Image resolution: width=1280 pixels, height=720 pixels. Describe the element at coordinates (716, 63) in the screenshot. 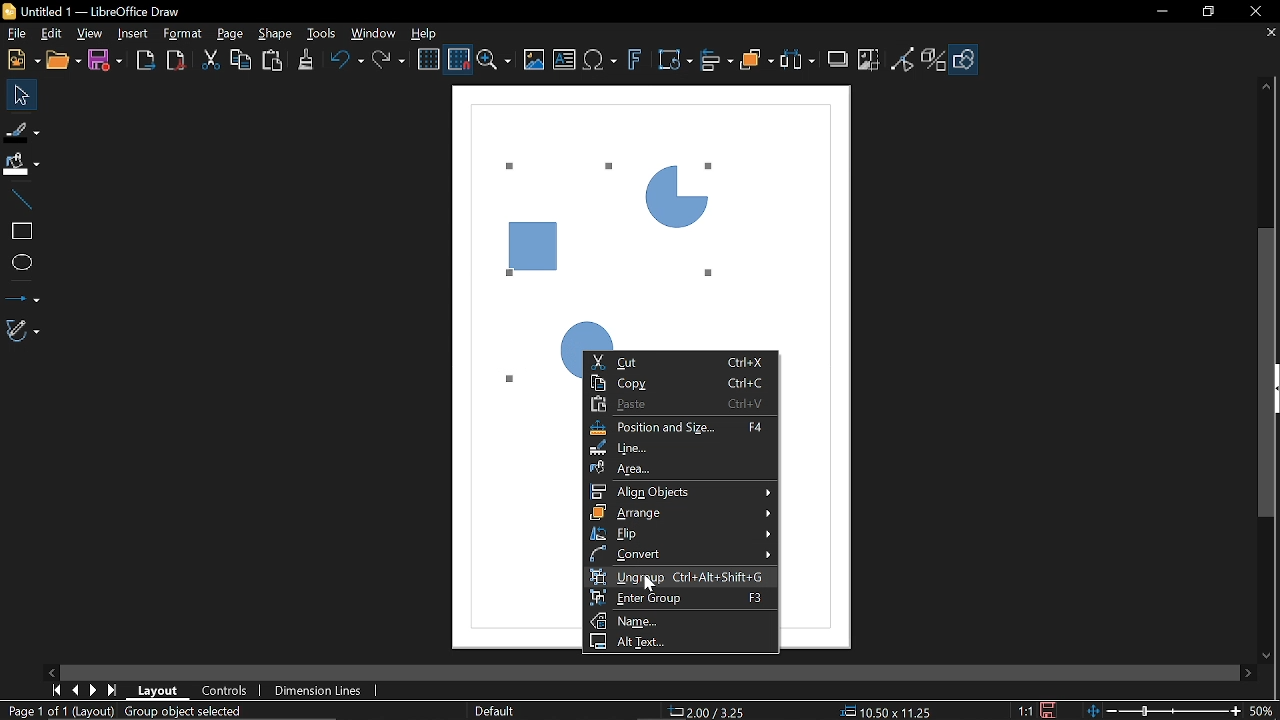

I see `Align` at that location.